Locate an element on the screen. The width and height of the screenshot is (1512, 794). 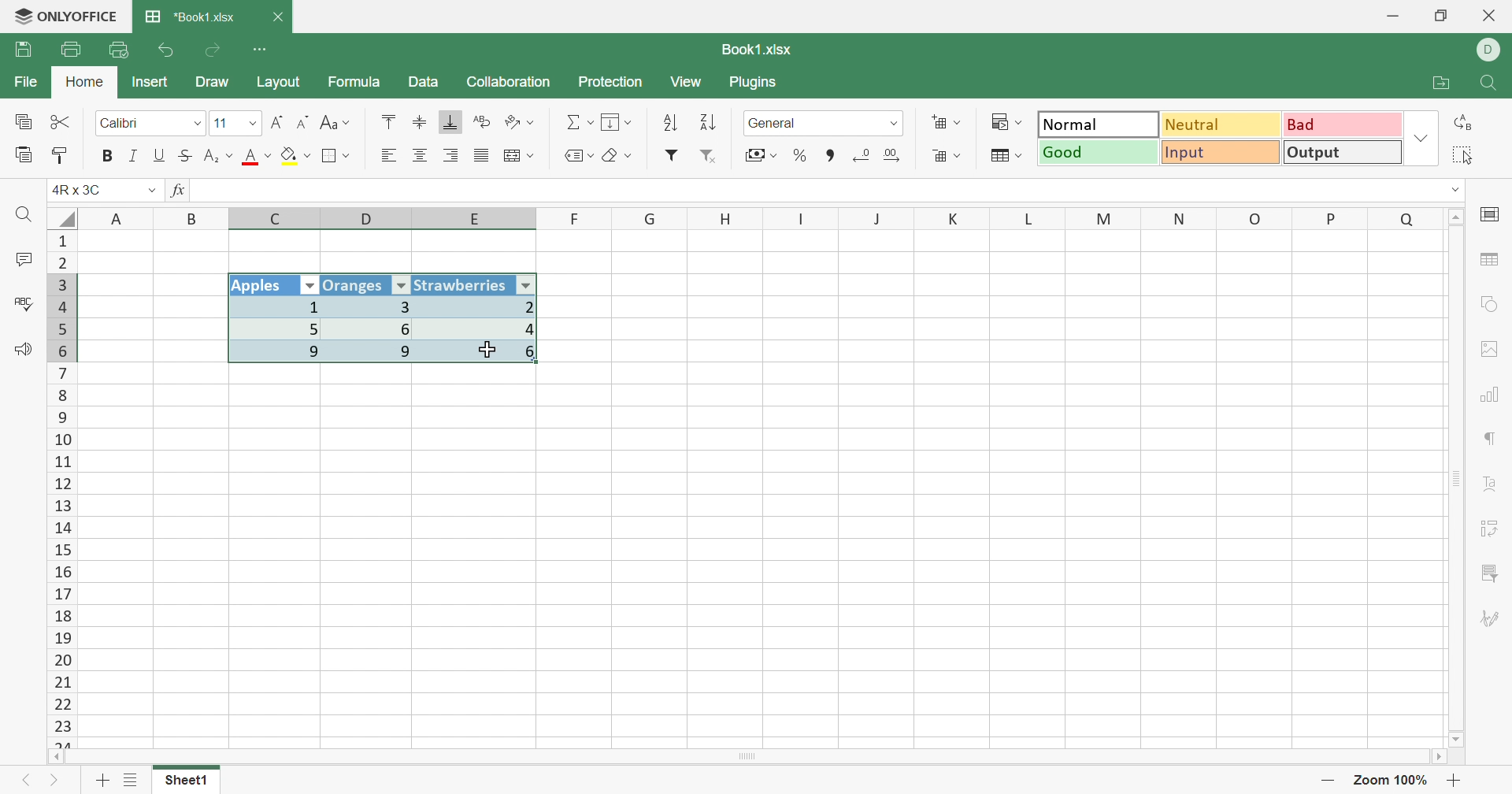
G is located at coordinates (651, 218).